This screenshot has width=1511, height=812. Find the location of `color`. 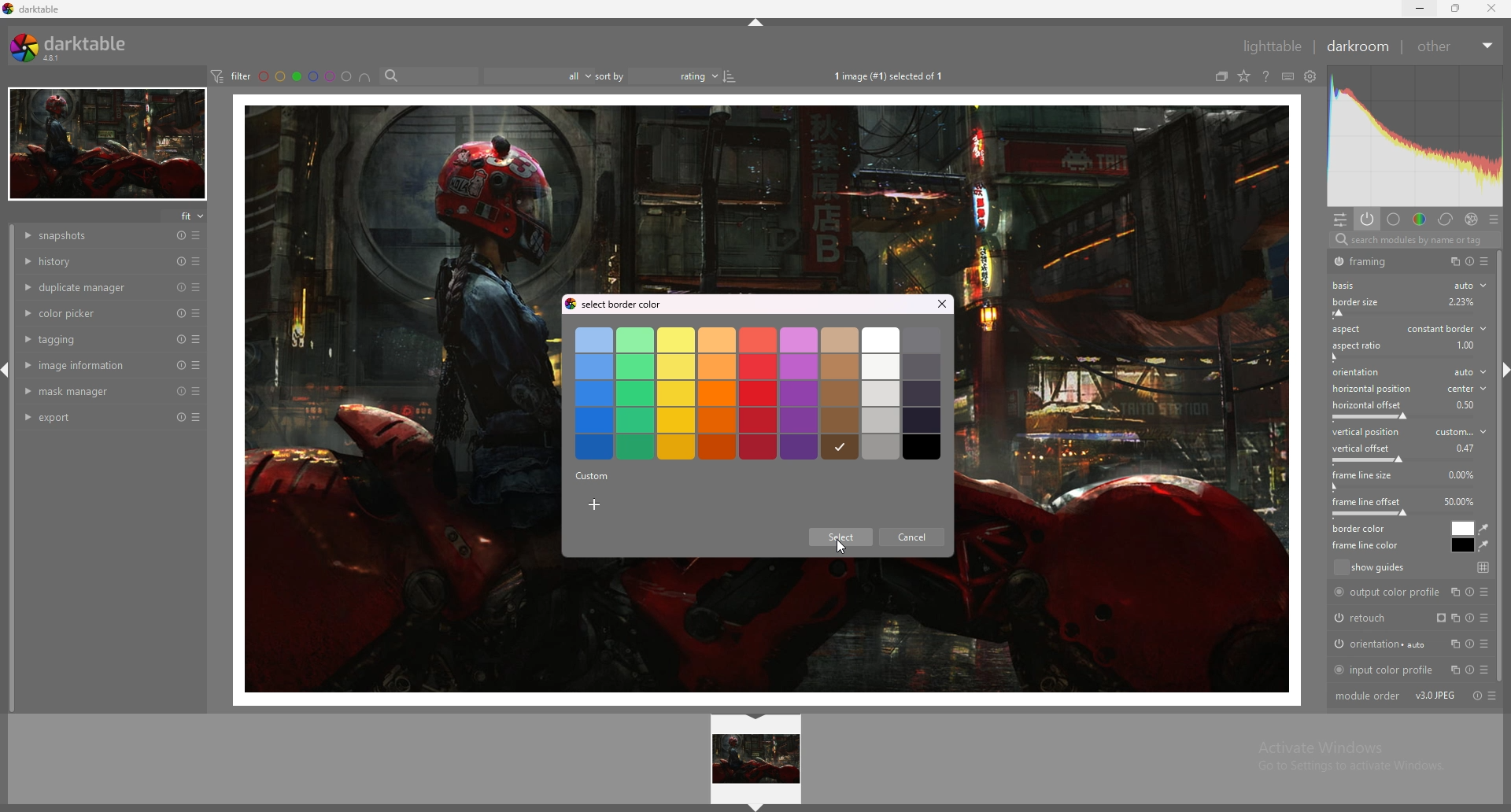

color is located at coordinates (1420, 218).